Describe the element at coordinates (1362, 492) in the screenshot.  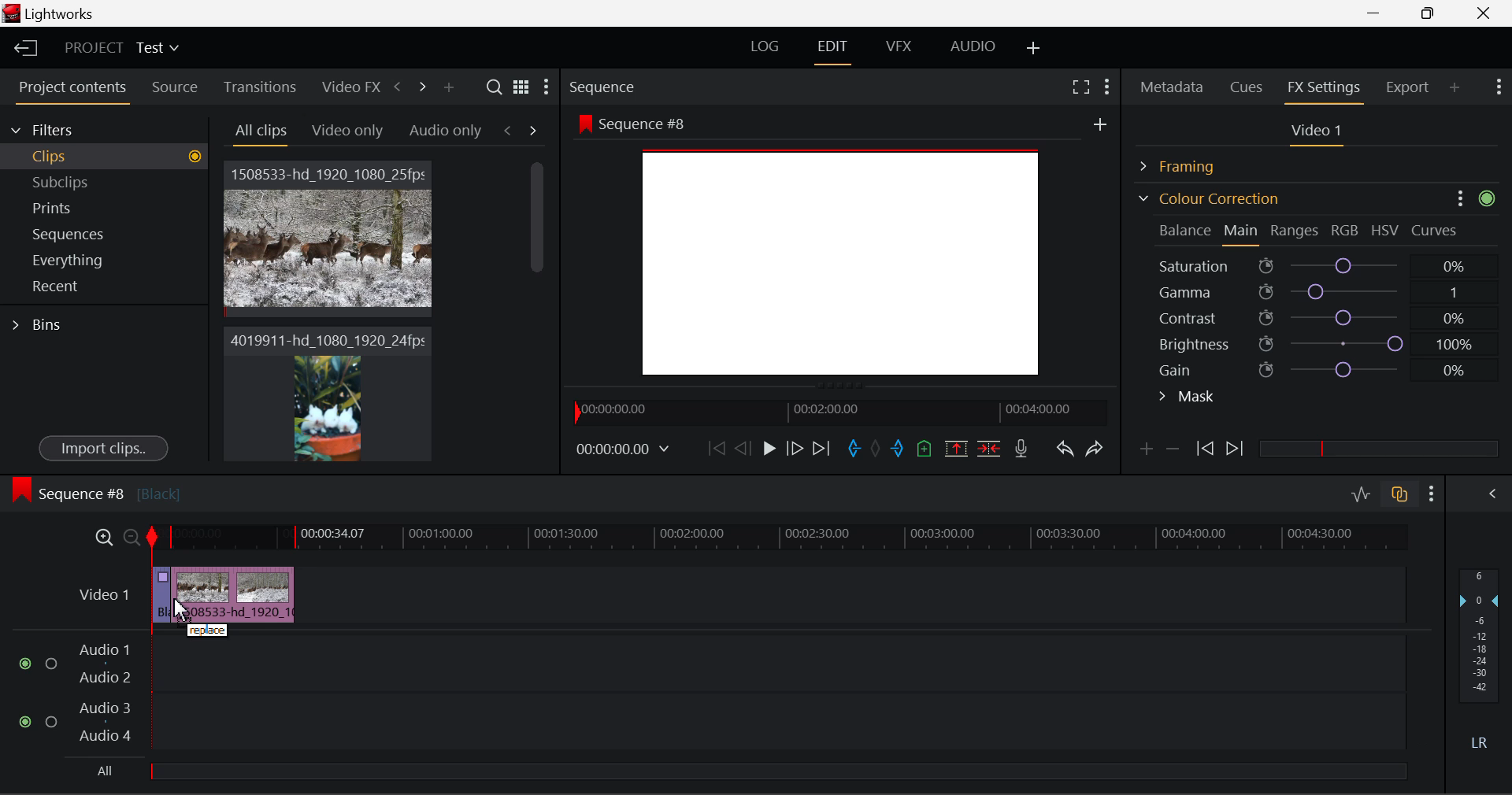
I see `Toggle audio editing levels` at that location.